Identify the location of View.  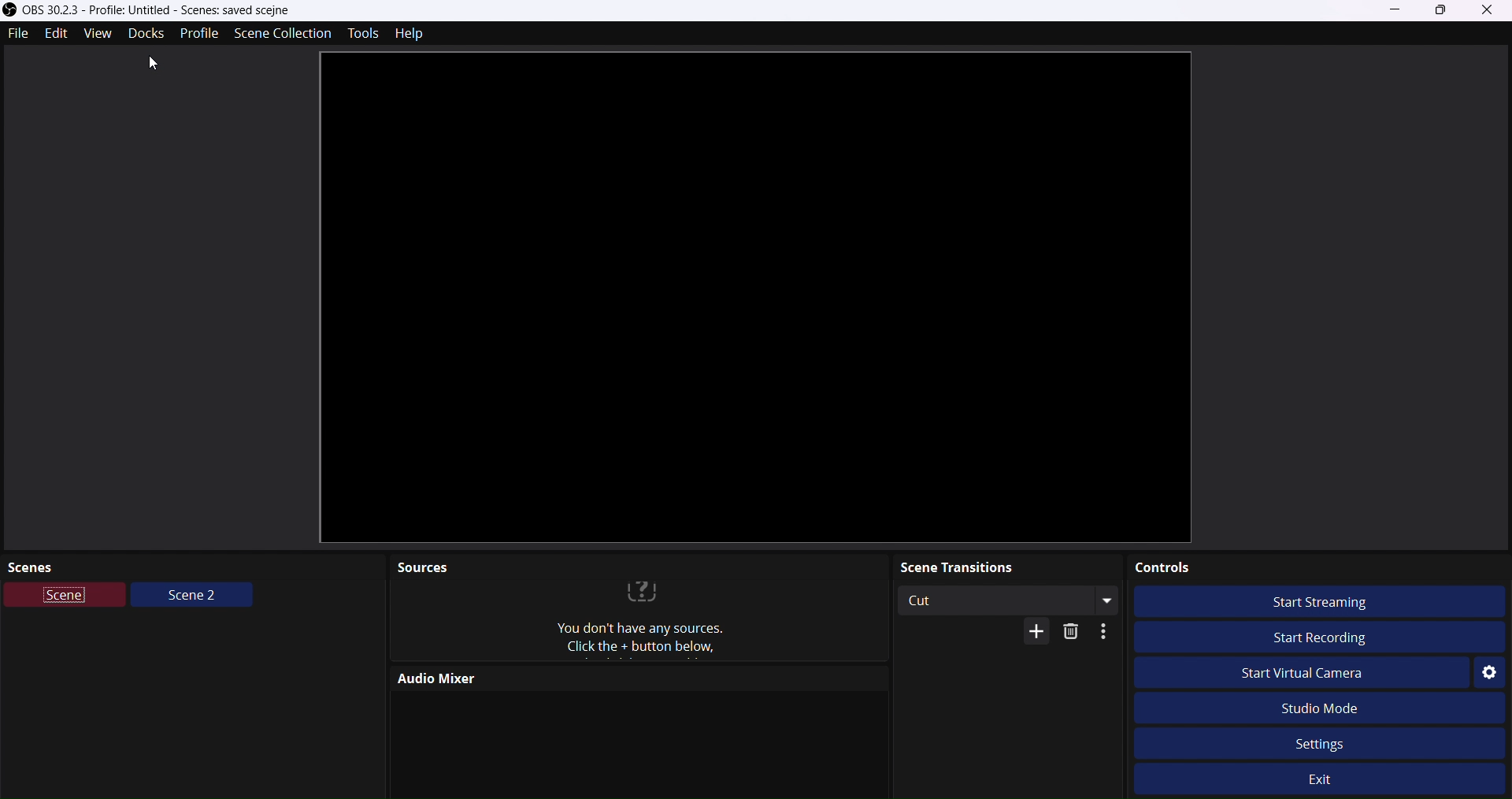
(93, 35).